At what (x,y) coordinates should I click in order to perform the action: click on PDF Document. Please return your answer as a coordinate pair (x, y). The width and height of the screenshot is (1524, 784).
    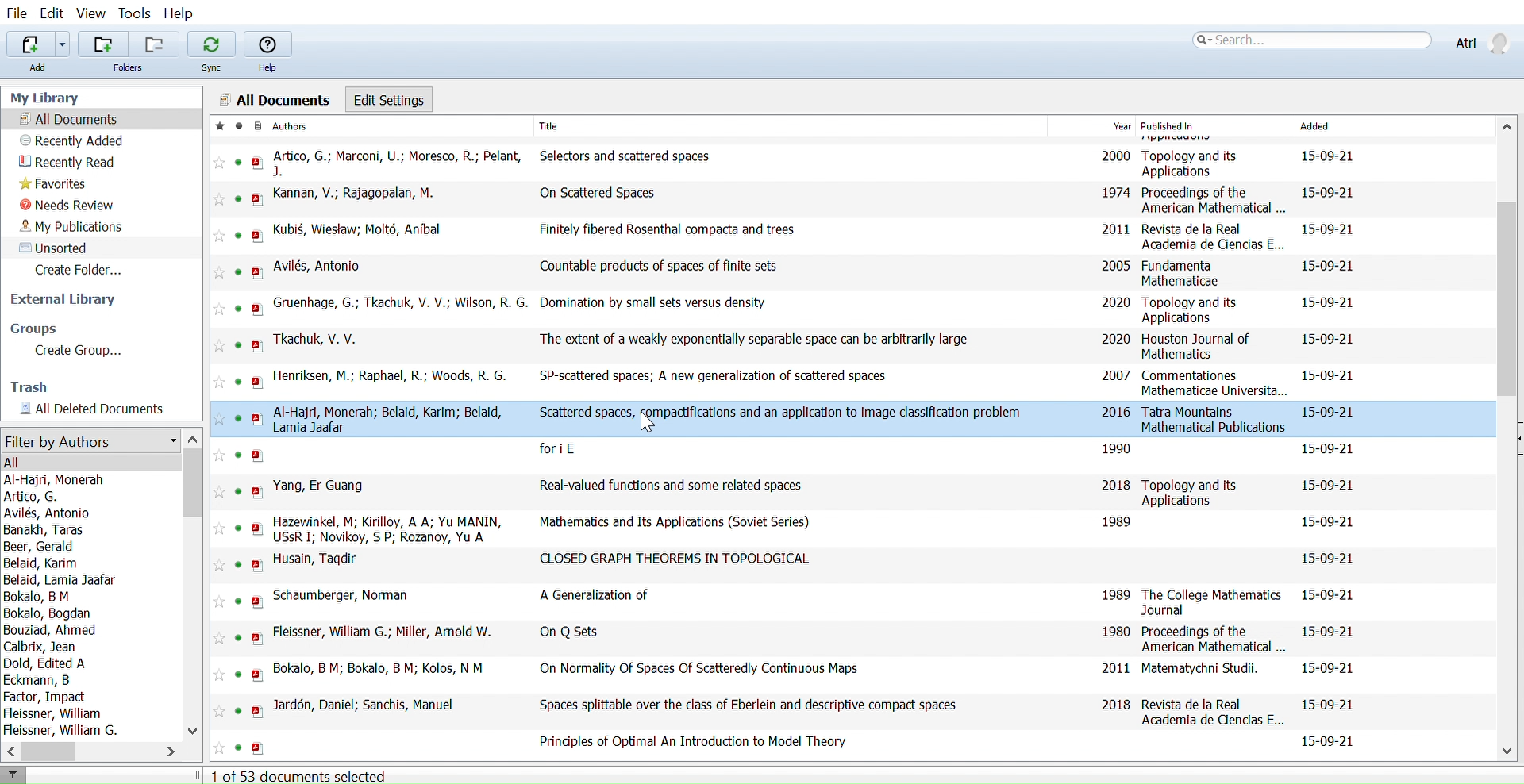
    Looking at the image, I should click on (258, 603).